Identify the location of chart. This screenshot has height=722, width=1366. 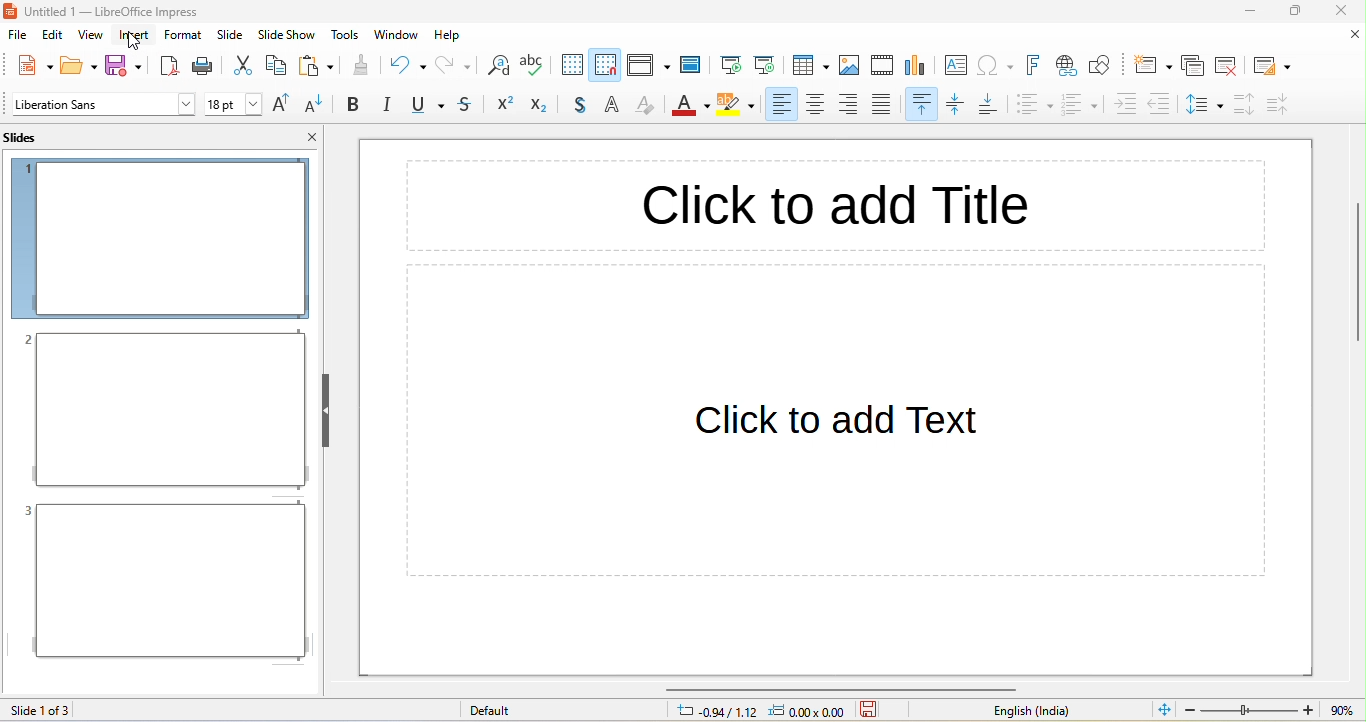
(919, 67).